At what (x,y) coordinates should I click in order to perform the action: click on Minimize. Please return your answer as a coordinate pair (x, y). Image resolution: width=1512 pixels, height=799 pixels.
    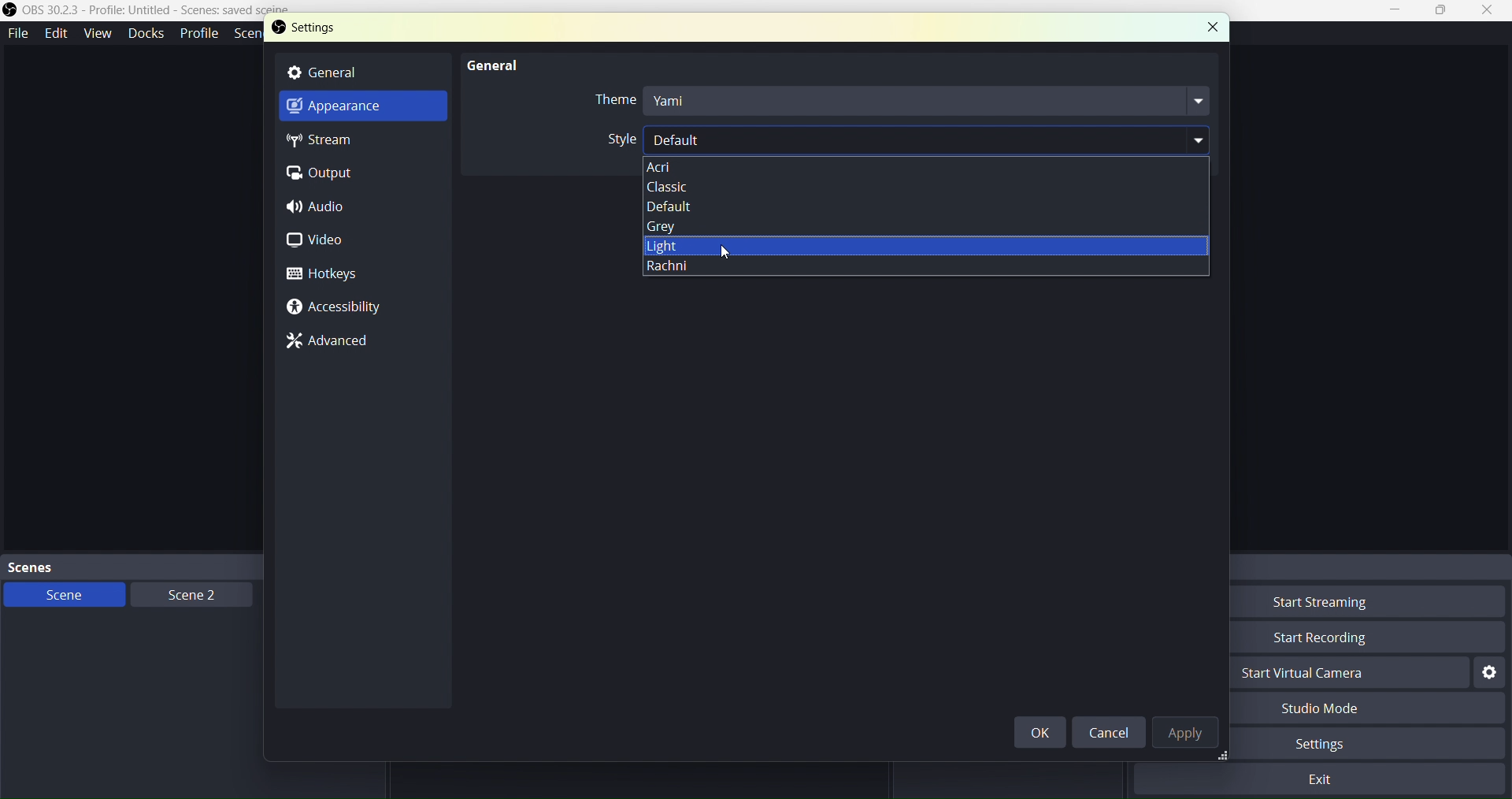
    Looking at the image, I should click on (1400, 10).